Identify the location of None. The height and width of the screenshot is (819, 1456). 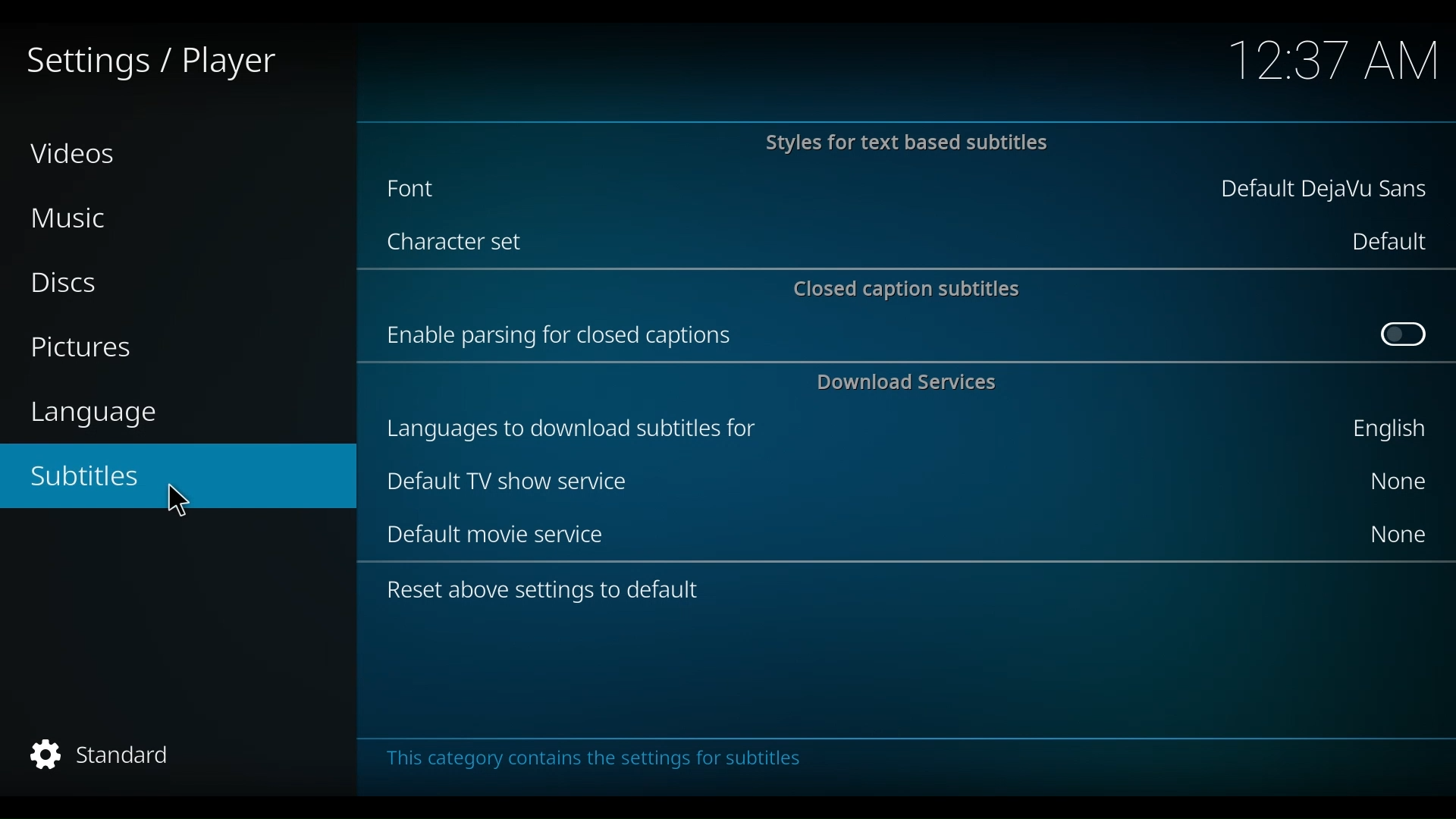
(1396, 483).